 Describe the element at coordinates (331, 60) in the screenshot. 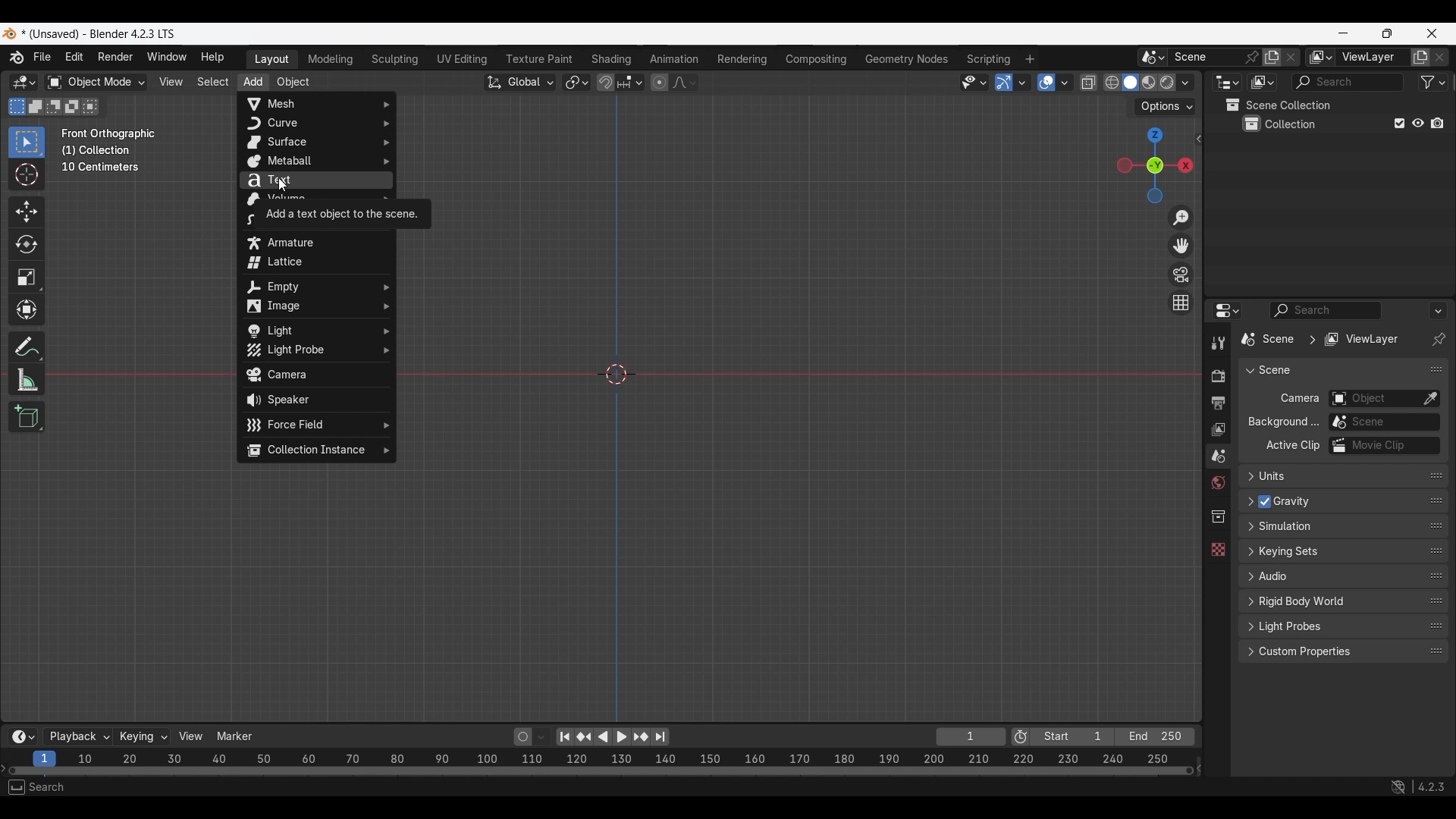

I see `Medeling workspace` at that location.